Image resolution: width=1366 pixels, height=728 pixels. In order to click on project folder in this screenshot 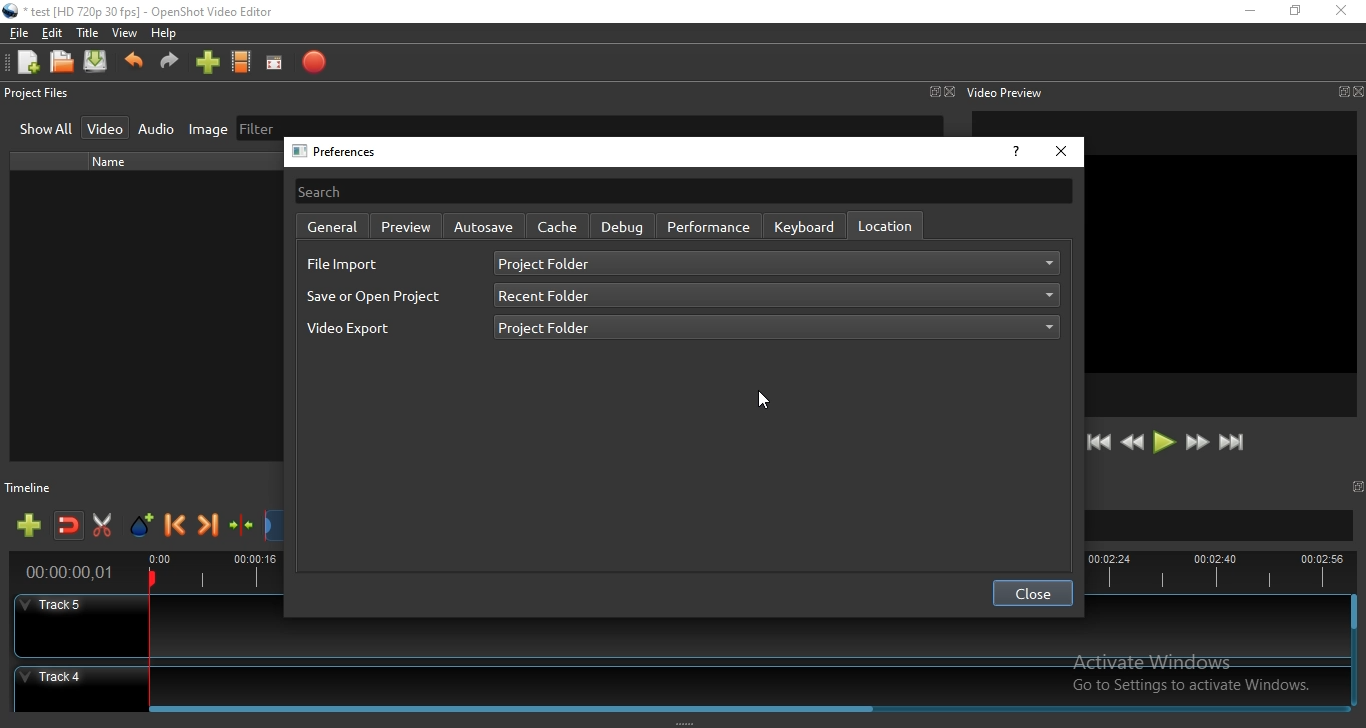, I will do `click(778, 326)`.